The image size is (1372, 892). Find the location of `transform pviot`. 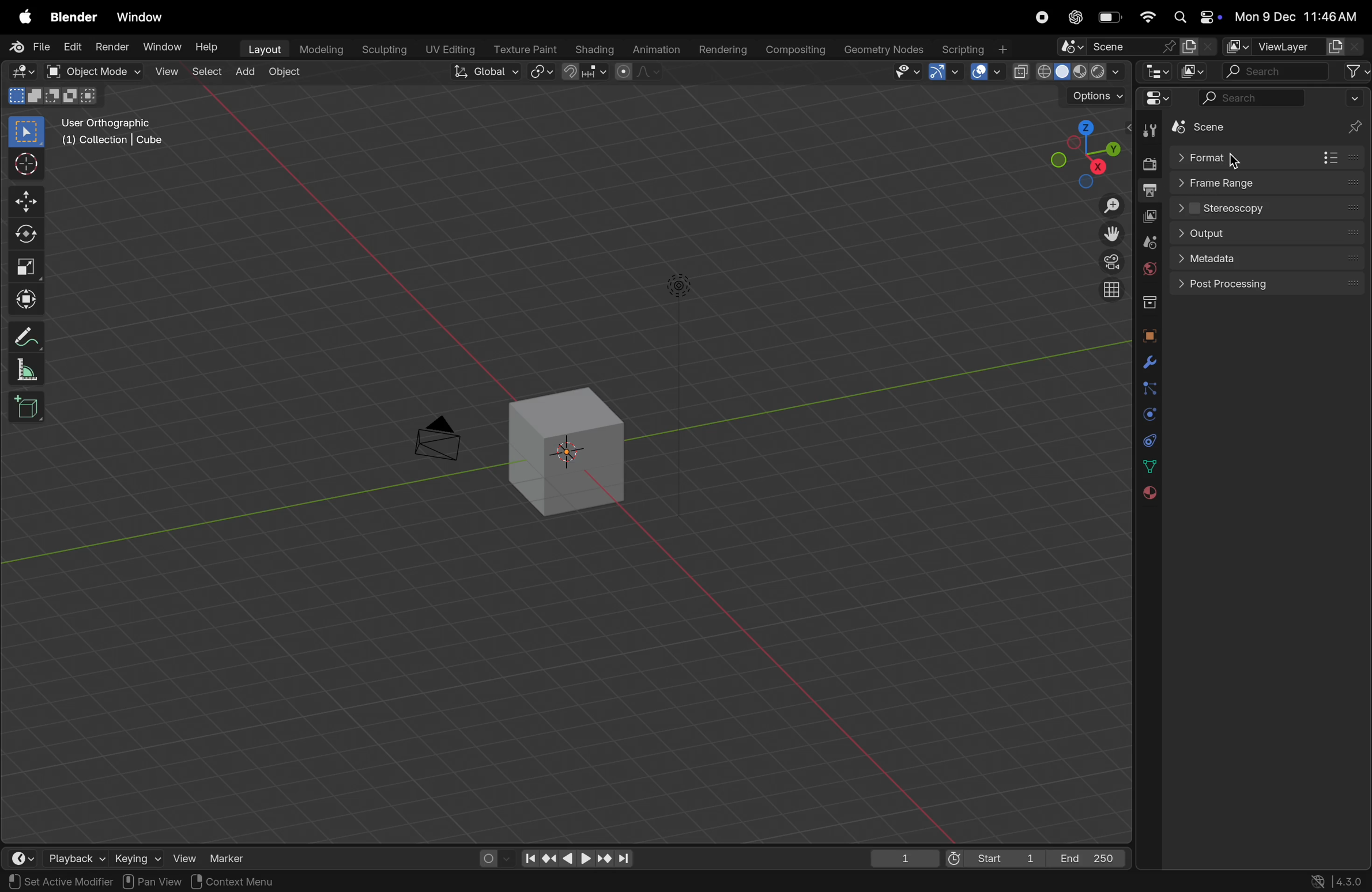

transform pviot is located at coordinates (543, 71).